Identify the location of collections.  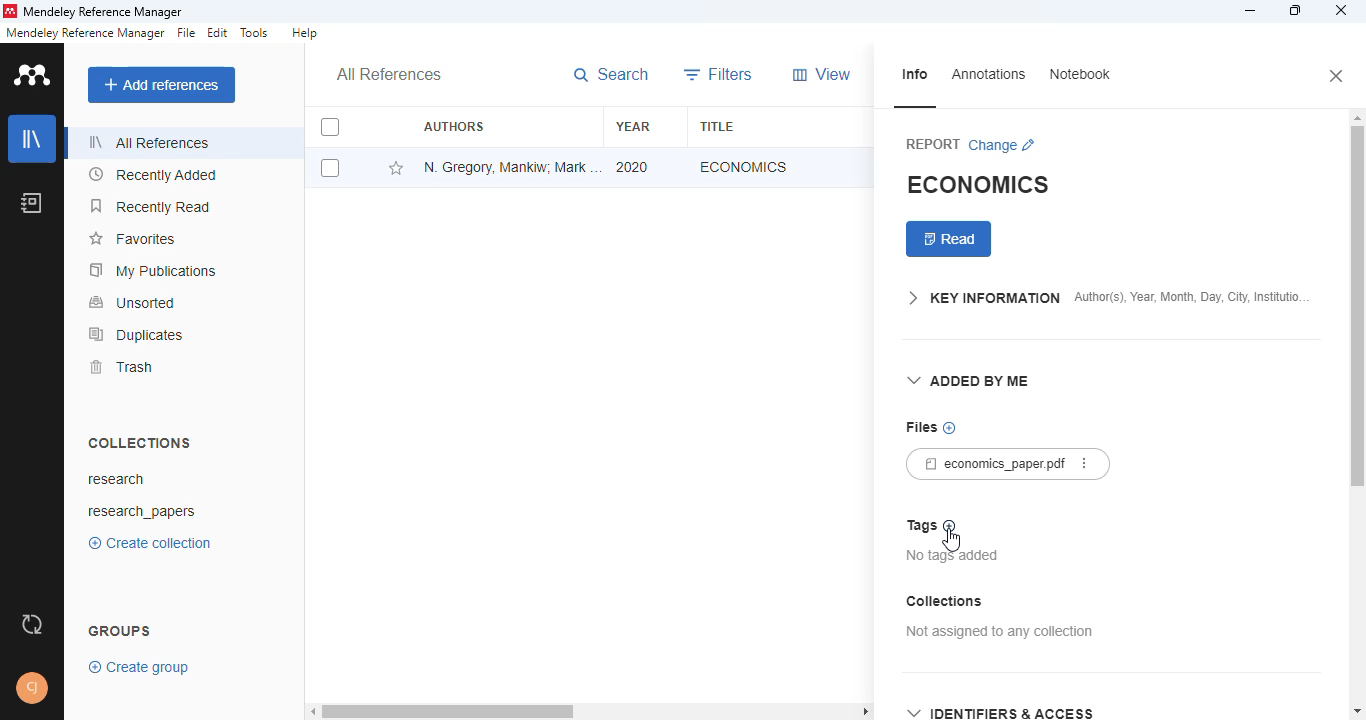
(947, 600).